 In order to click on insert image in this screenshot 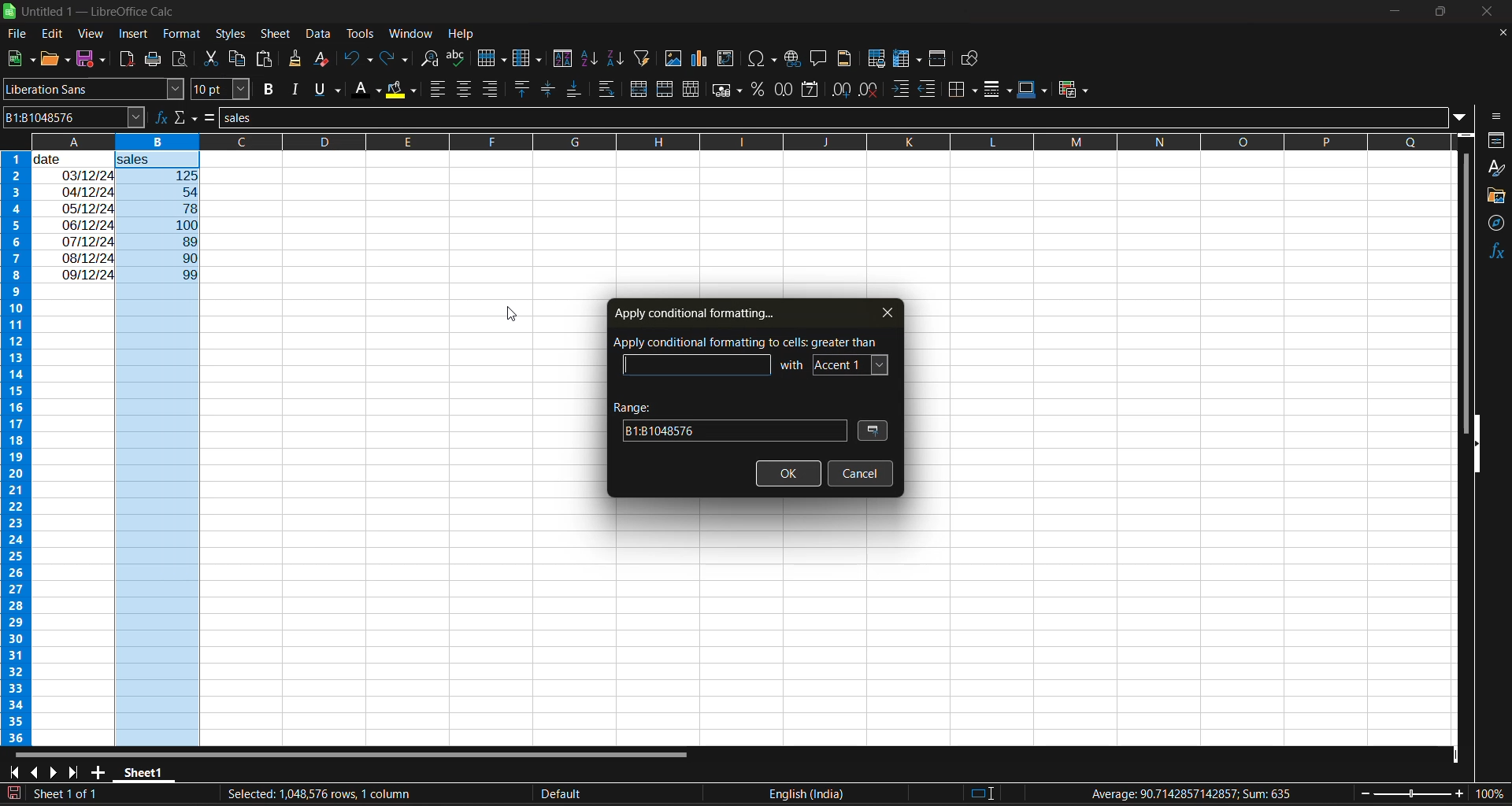, I will do `click(676, 59)`.